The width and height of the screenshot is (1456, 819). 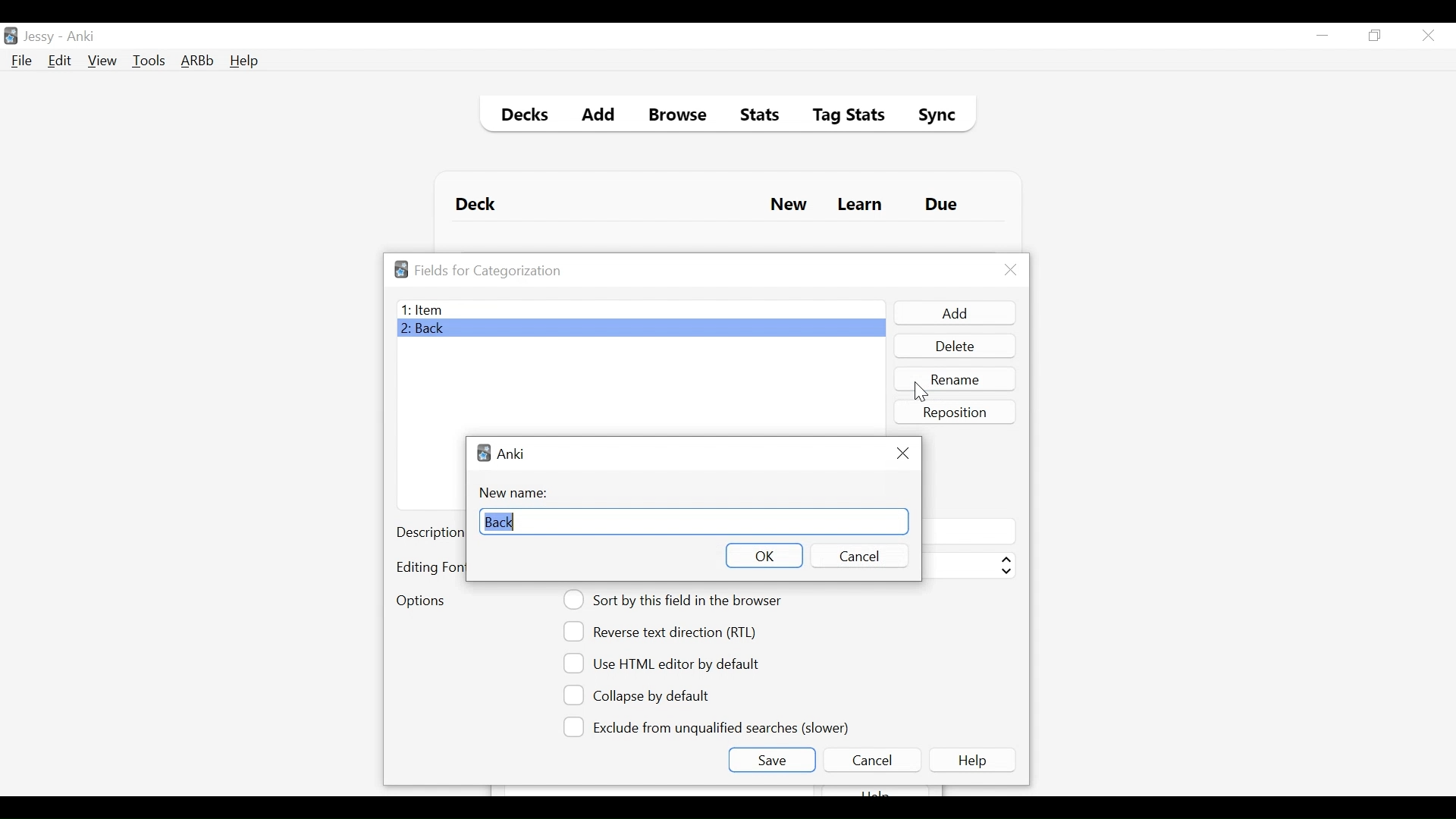 What do you see at coordinates (675, 600) in the screenshot?
I see `(un)select Sort by this field in the browser` at bounding box center [675, 600].